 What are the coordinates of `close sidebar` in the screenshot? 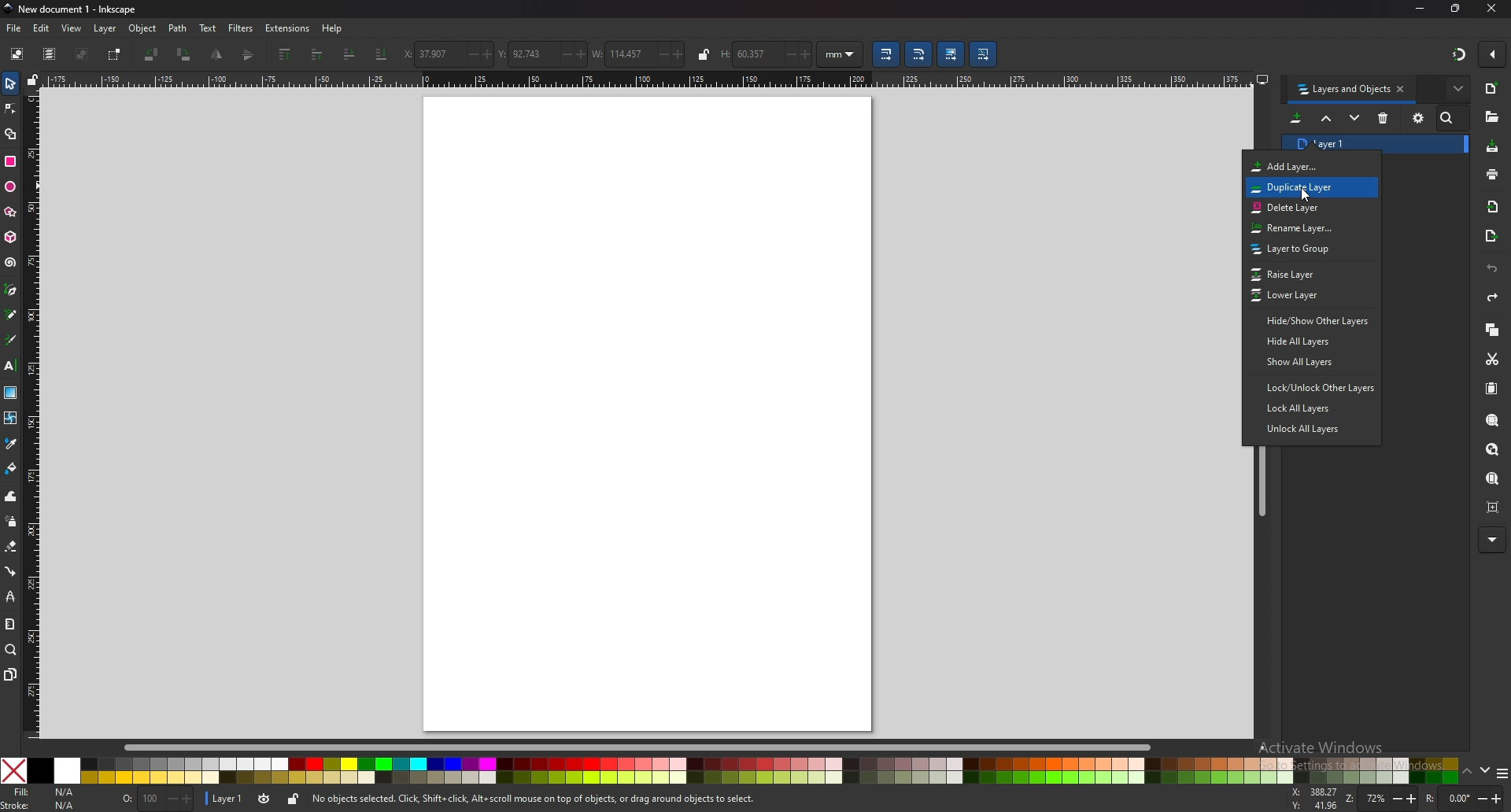 It's located at (1401, 88).